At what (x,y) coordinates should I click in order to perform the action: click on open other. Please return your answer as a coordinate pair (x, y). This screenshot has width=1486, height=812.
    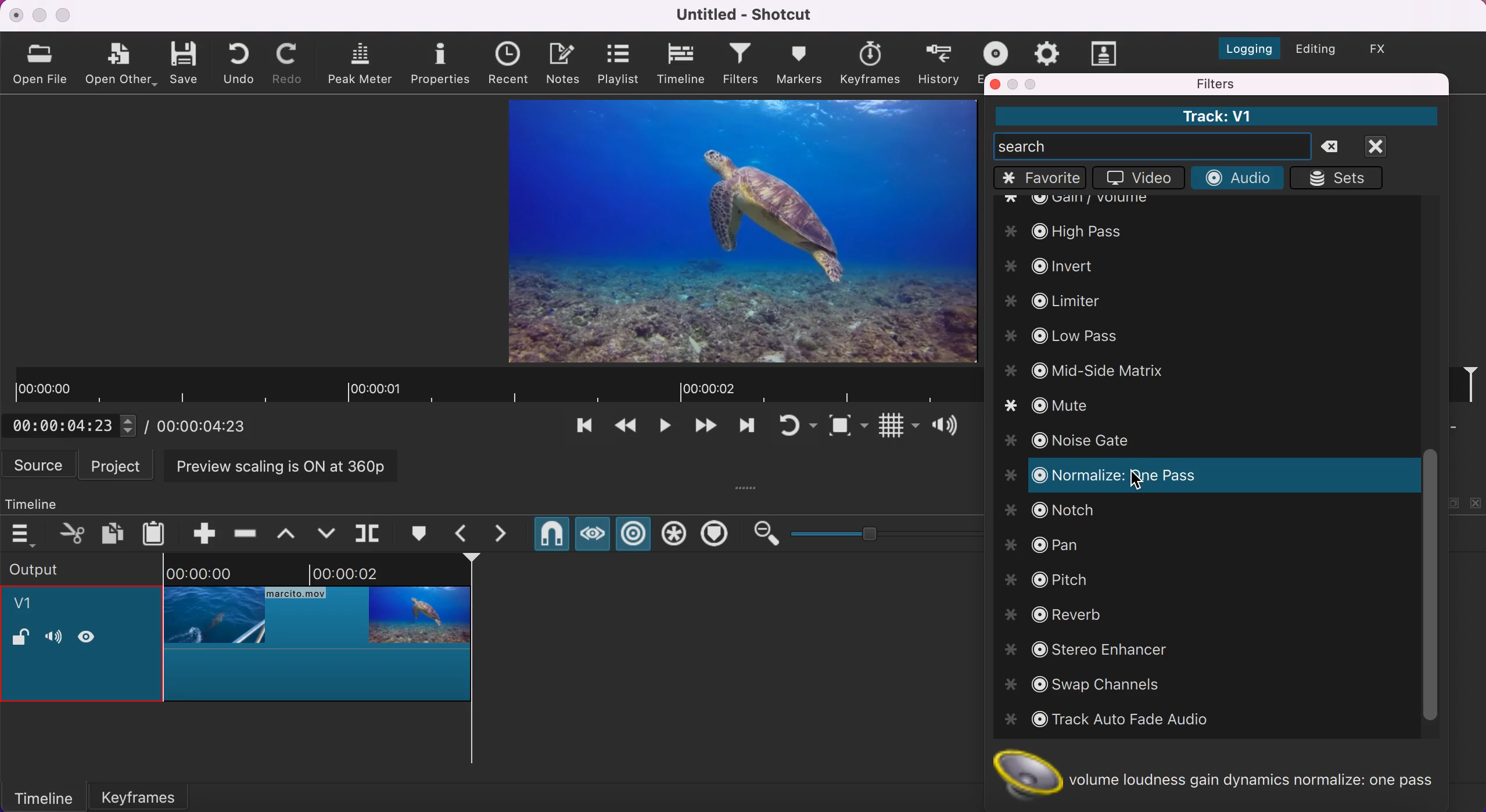
    Looking at the image, I should click on (121, 65).